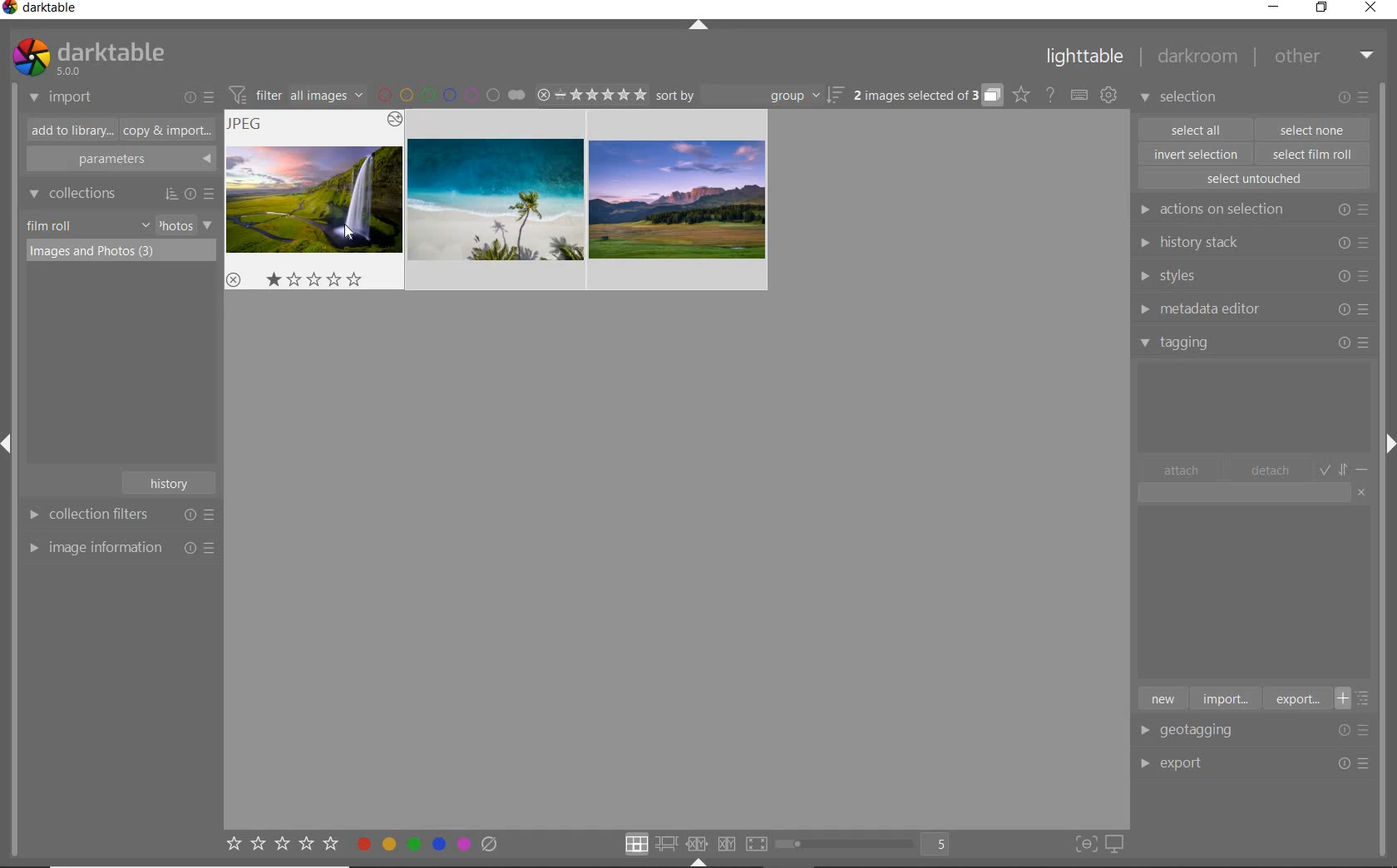  Describe the element at coordinates (1162, 698) in the screenshot. I see `new` at that location.